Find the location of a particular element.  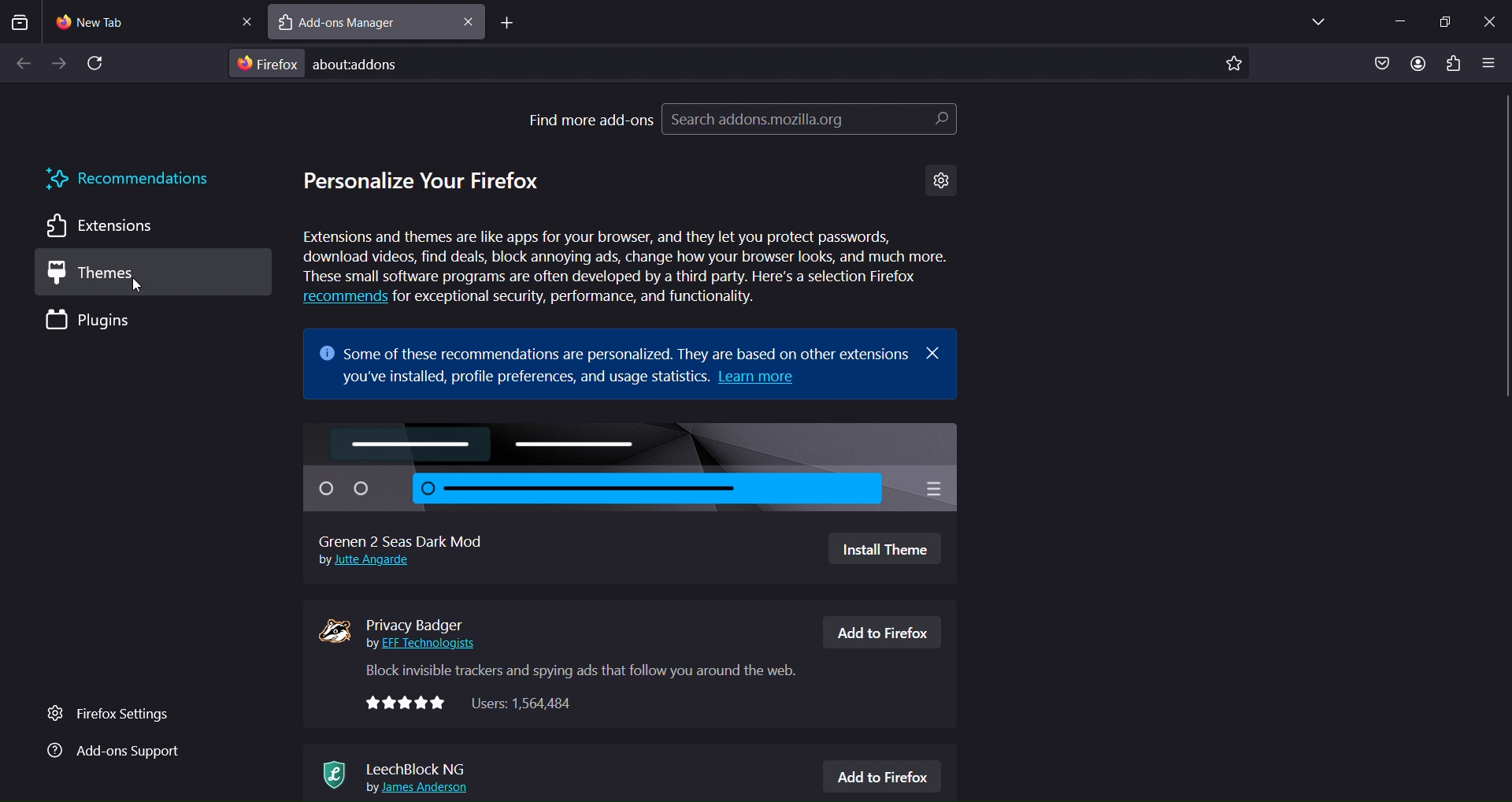

scrollbar is located at coordinates (1503, 269).